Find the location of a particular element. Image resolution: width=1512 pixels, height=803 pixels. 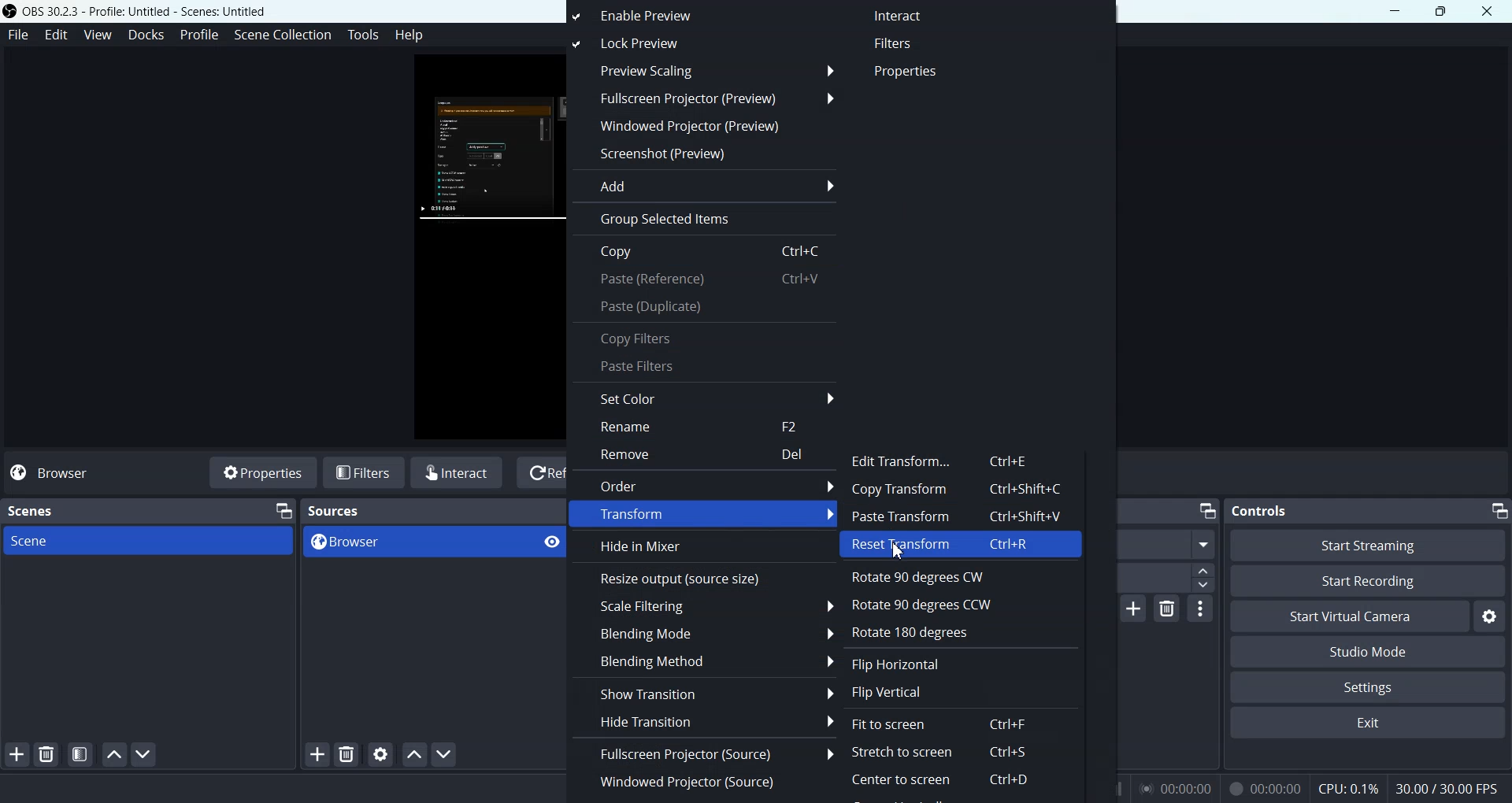

Properties is located at coordinates (911, 72).